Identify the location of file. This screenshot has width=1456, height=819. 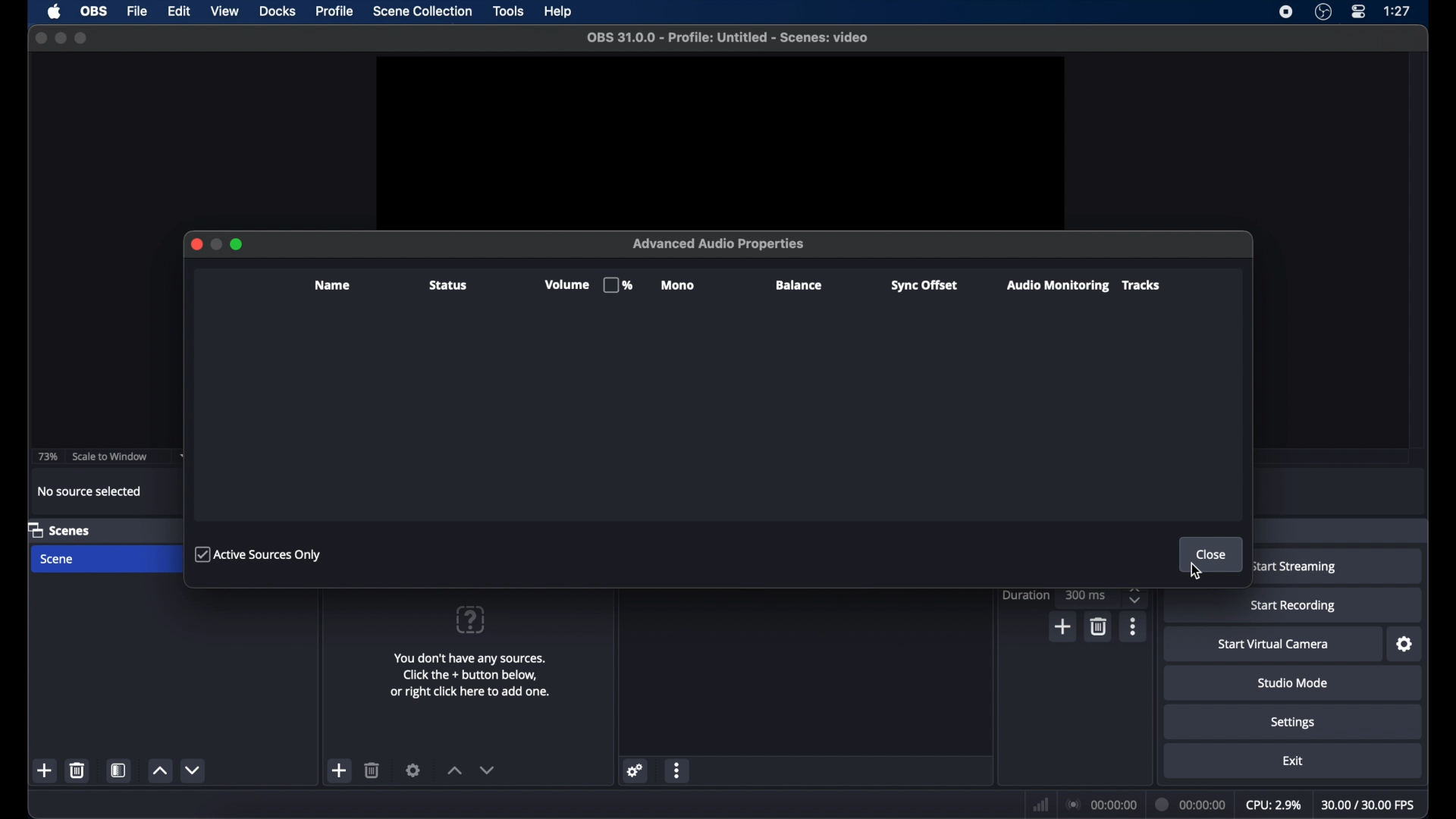
(138, 12).